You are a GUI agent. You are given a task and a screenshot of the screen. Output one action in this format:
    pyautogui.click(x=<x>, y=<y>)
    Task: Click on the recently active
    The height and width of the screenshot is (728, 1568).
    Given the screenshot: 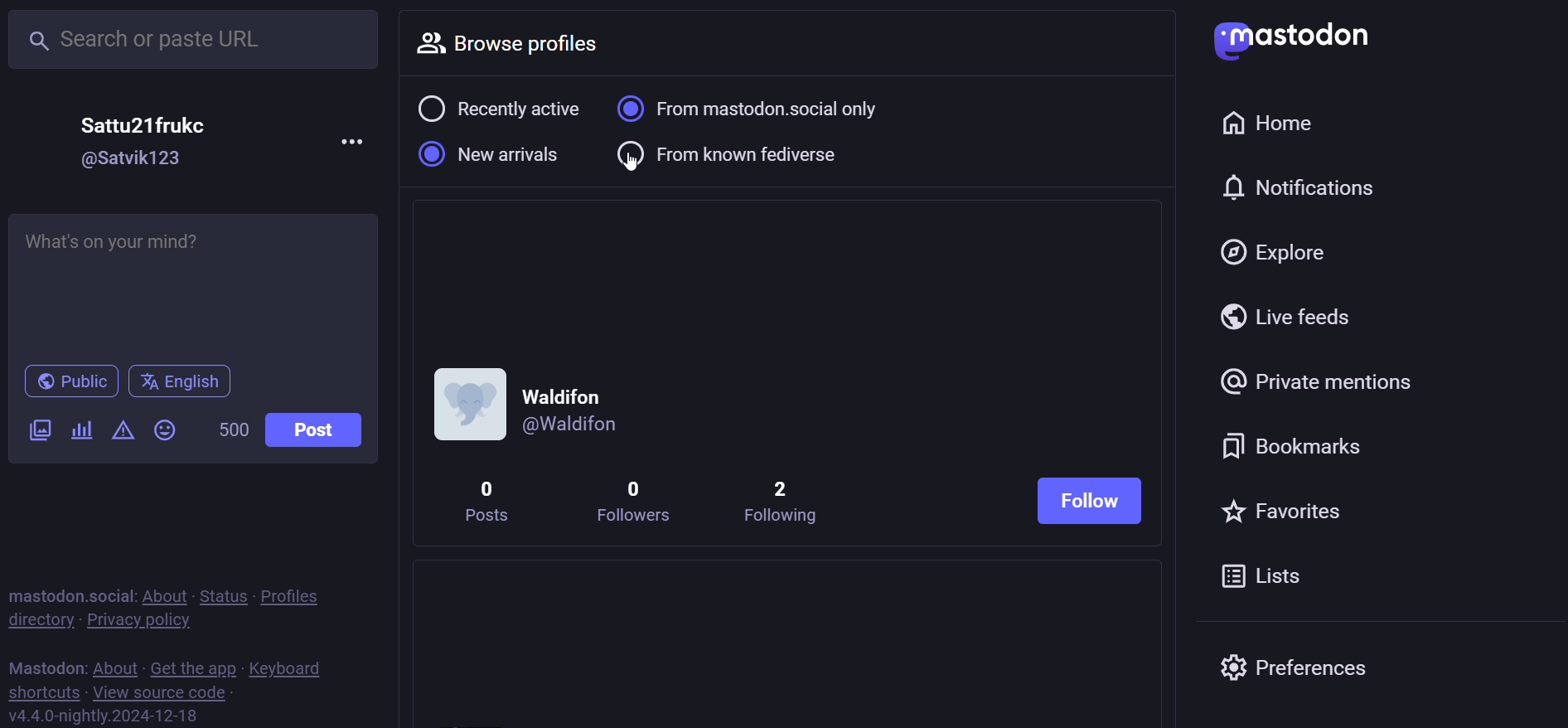 What is the action you would take?
    pyautogui.click(x=498, y=109)
    